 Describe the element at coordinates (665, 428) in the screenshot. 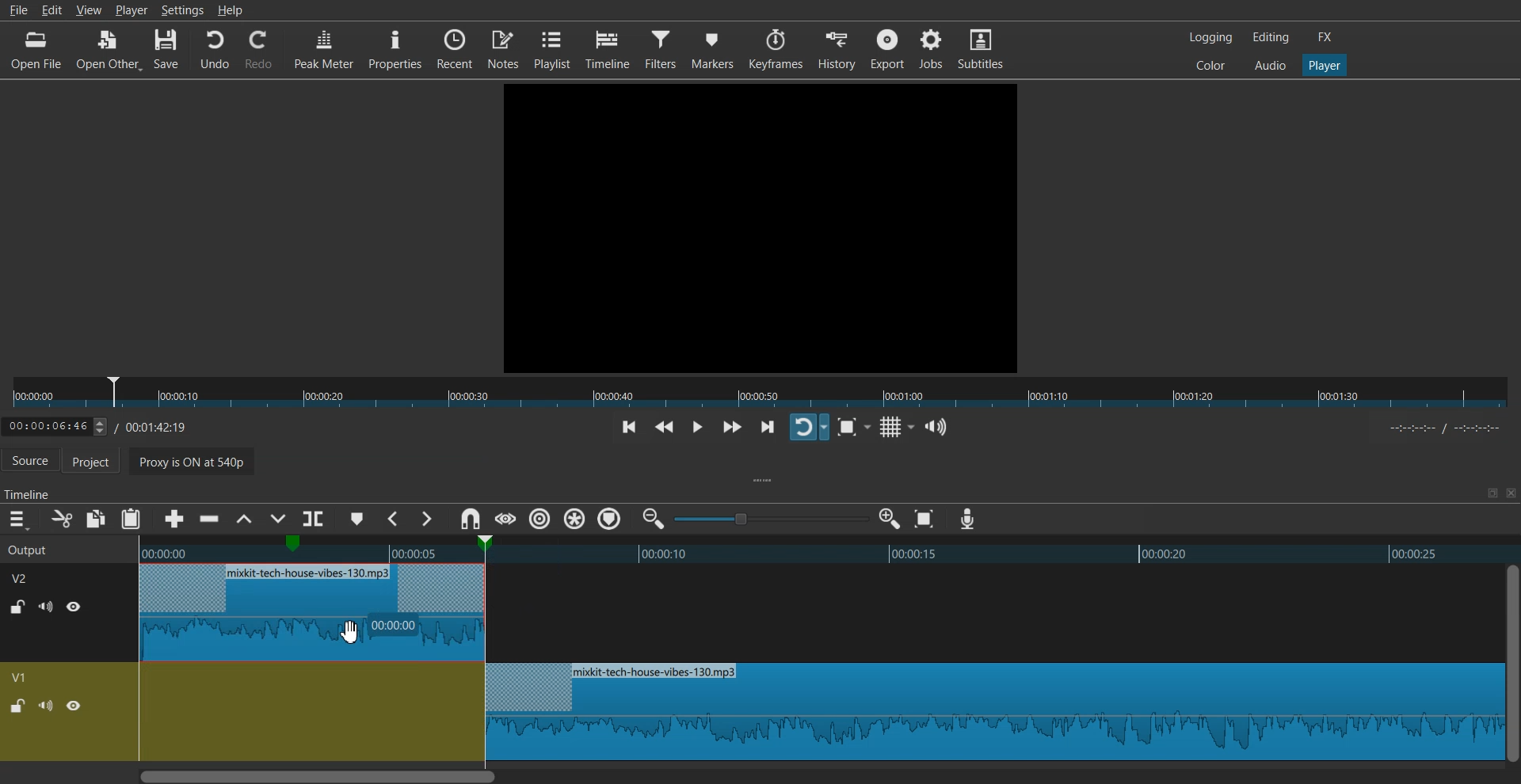

I see `Play quickly backwards` at that location.